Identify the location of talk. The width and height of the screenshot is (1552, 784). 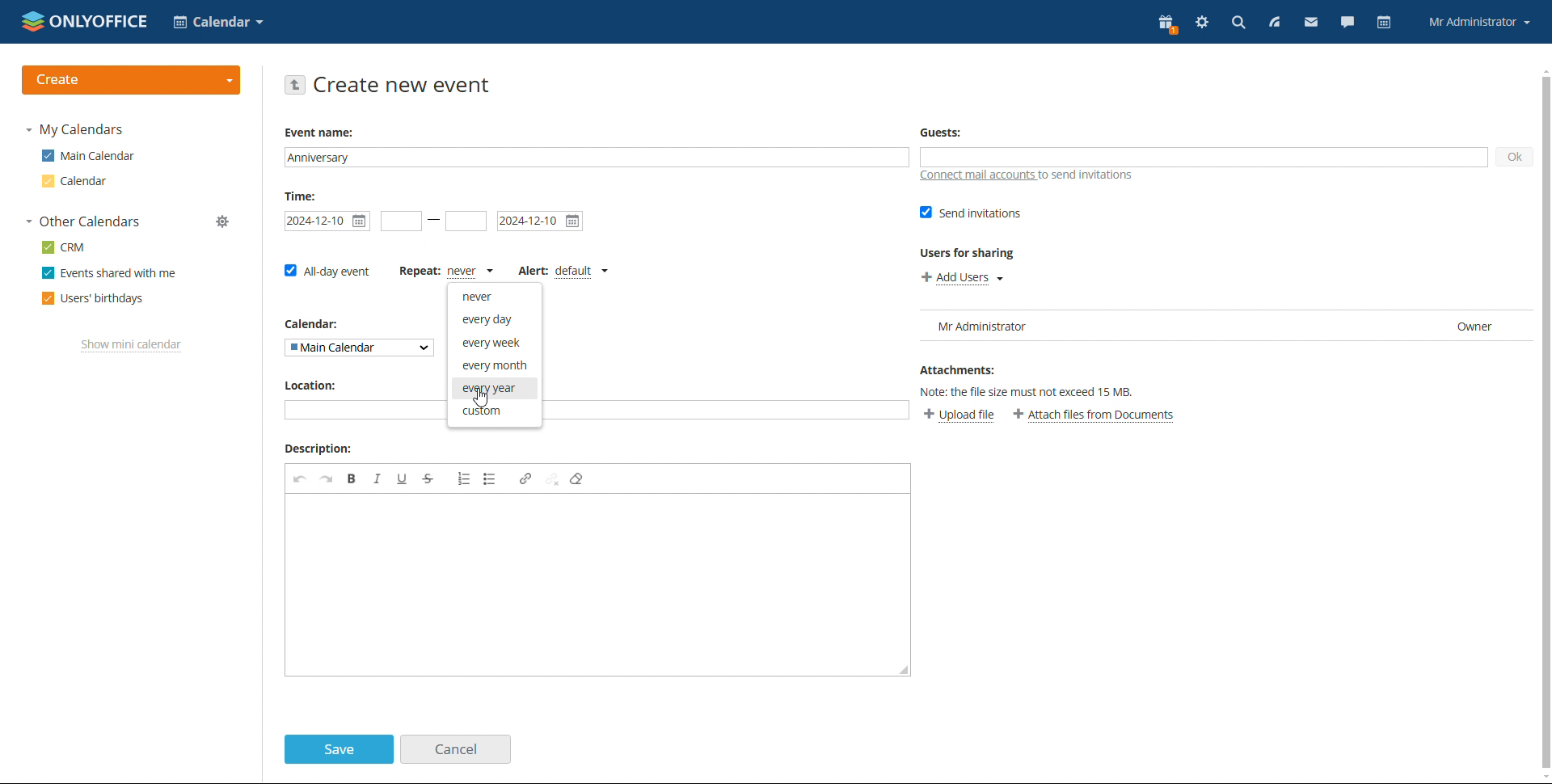
(1346, 23).